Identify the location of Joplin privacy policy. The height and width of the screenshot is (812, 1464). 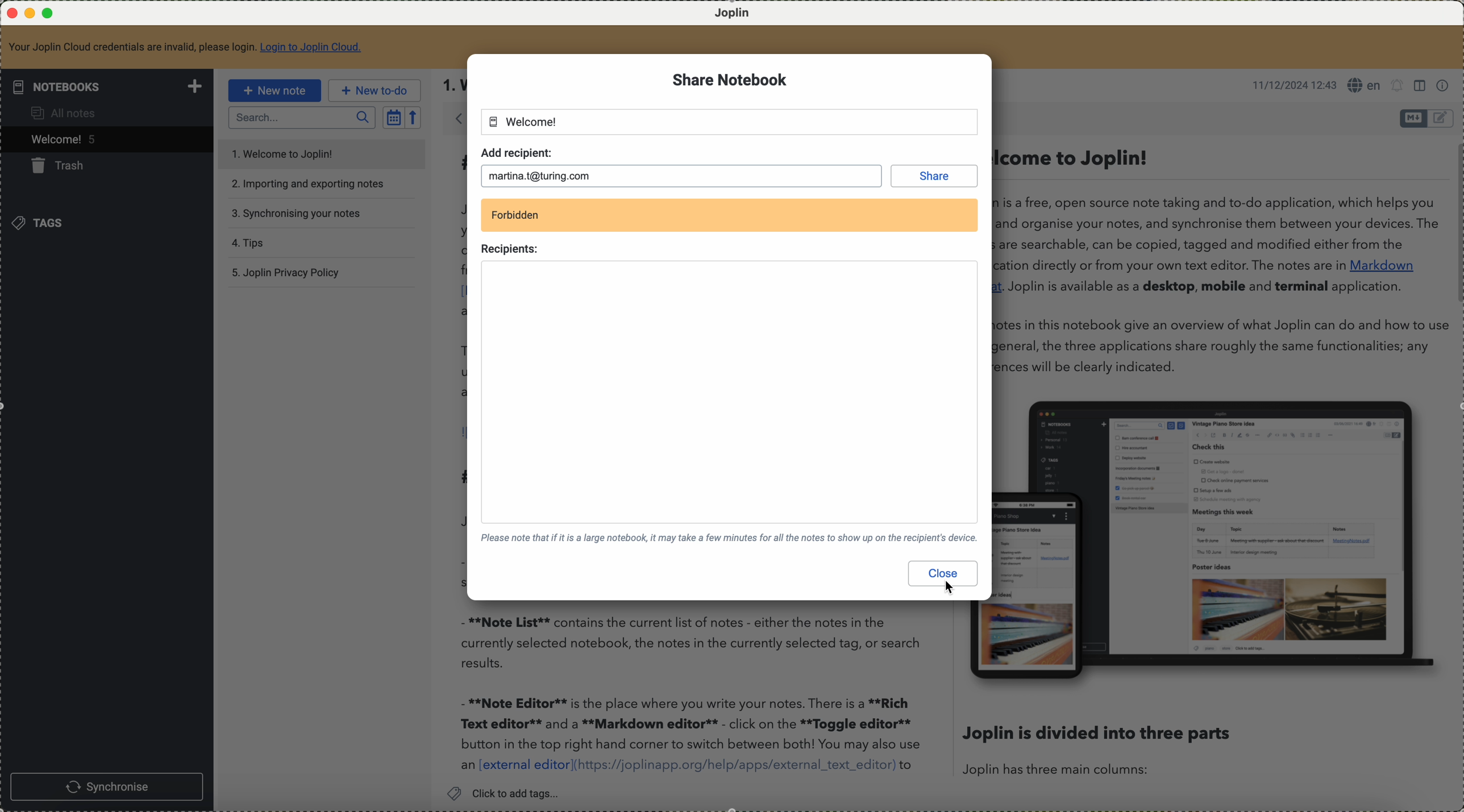
(285, 272).